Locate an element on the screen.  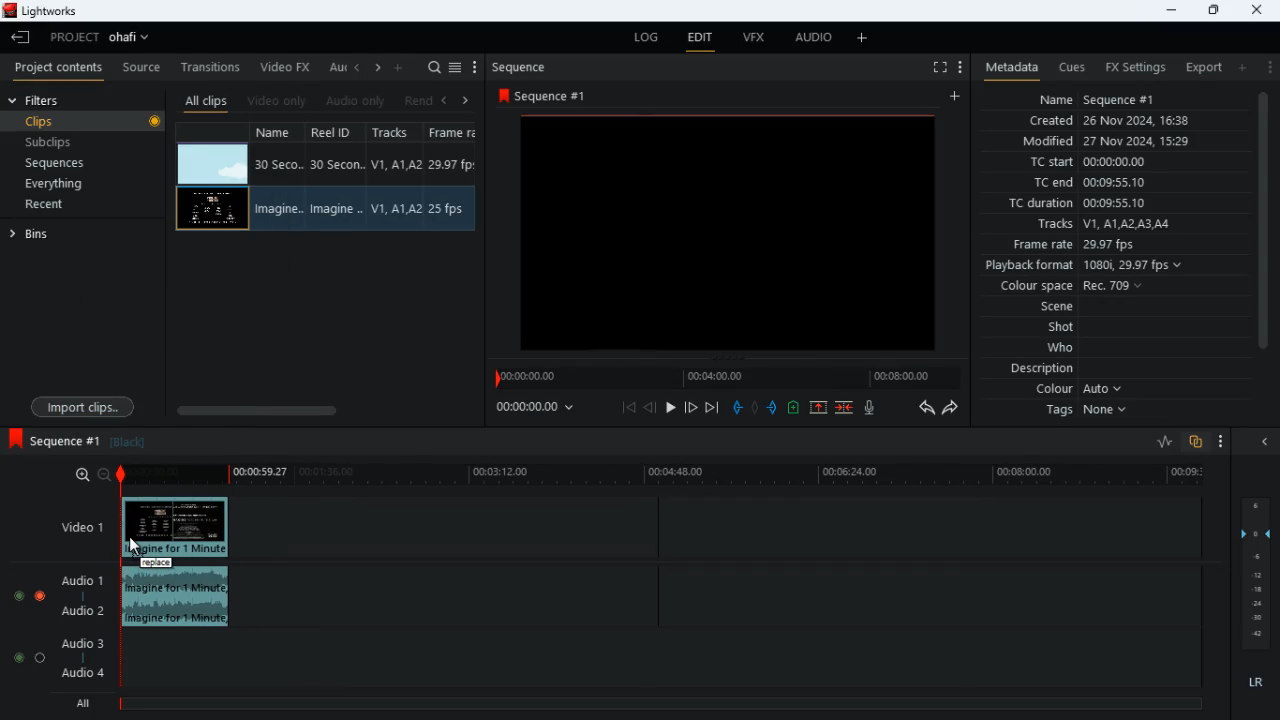
front is located at coordinates (692, 407).